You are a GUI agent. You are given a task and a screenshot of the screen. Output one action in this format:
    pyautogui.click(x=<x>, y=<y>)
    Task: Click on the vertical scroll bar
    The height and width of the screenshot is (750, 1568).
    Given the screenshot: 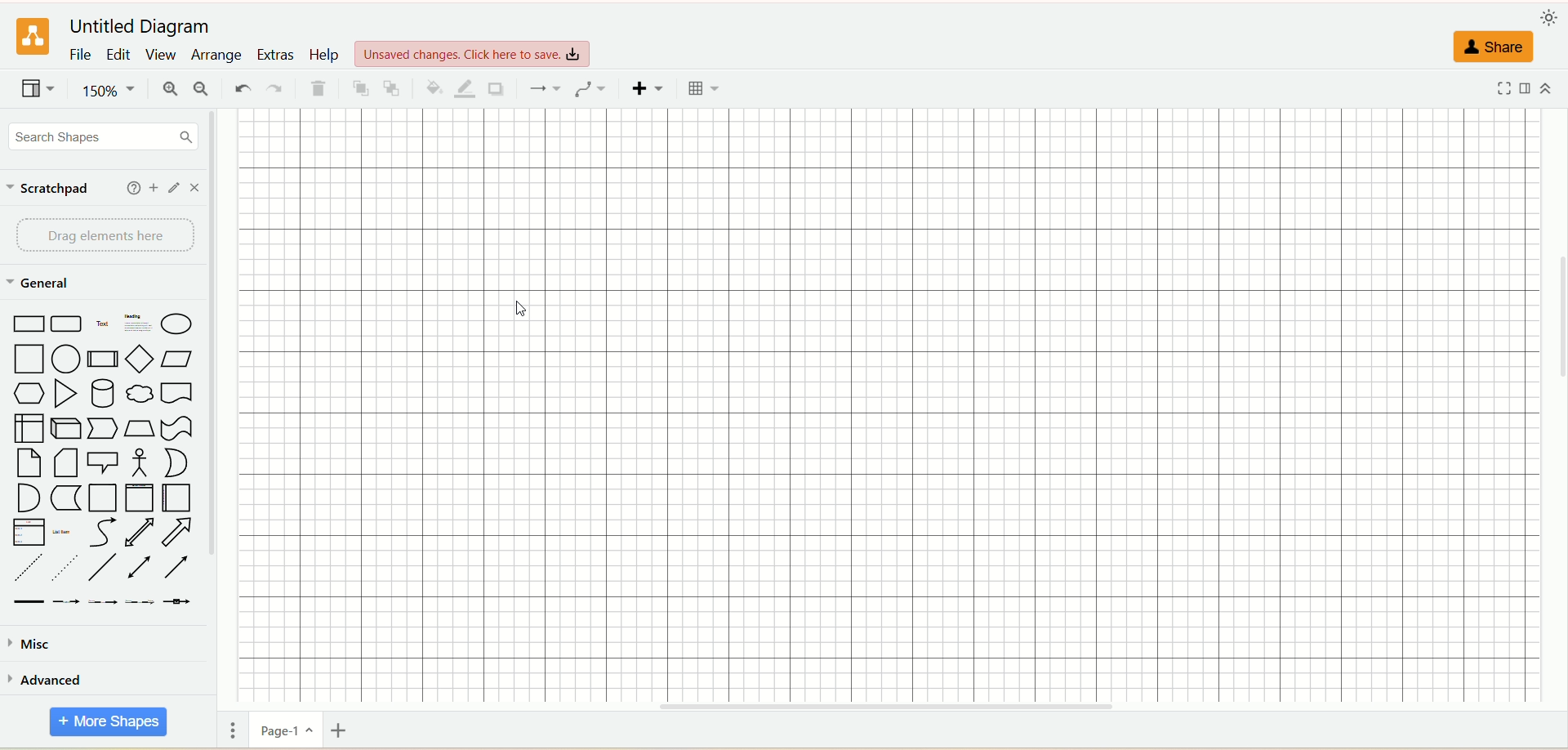 What is the action you would take?
    pyautogui.click(x=214, y=407)
    